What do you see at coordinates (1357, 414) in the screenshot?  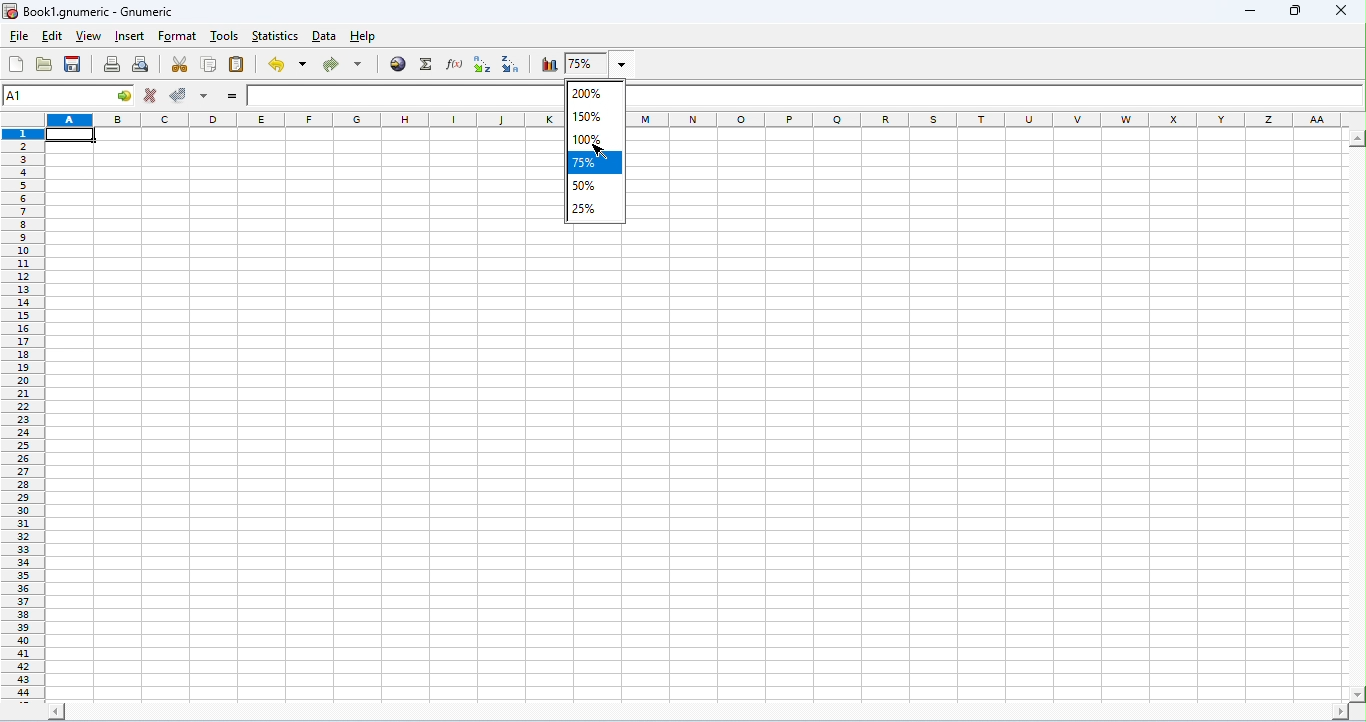 I see `Vertical scroll bar` at bounding box center [1357, 414].